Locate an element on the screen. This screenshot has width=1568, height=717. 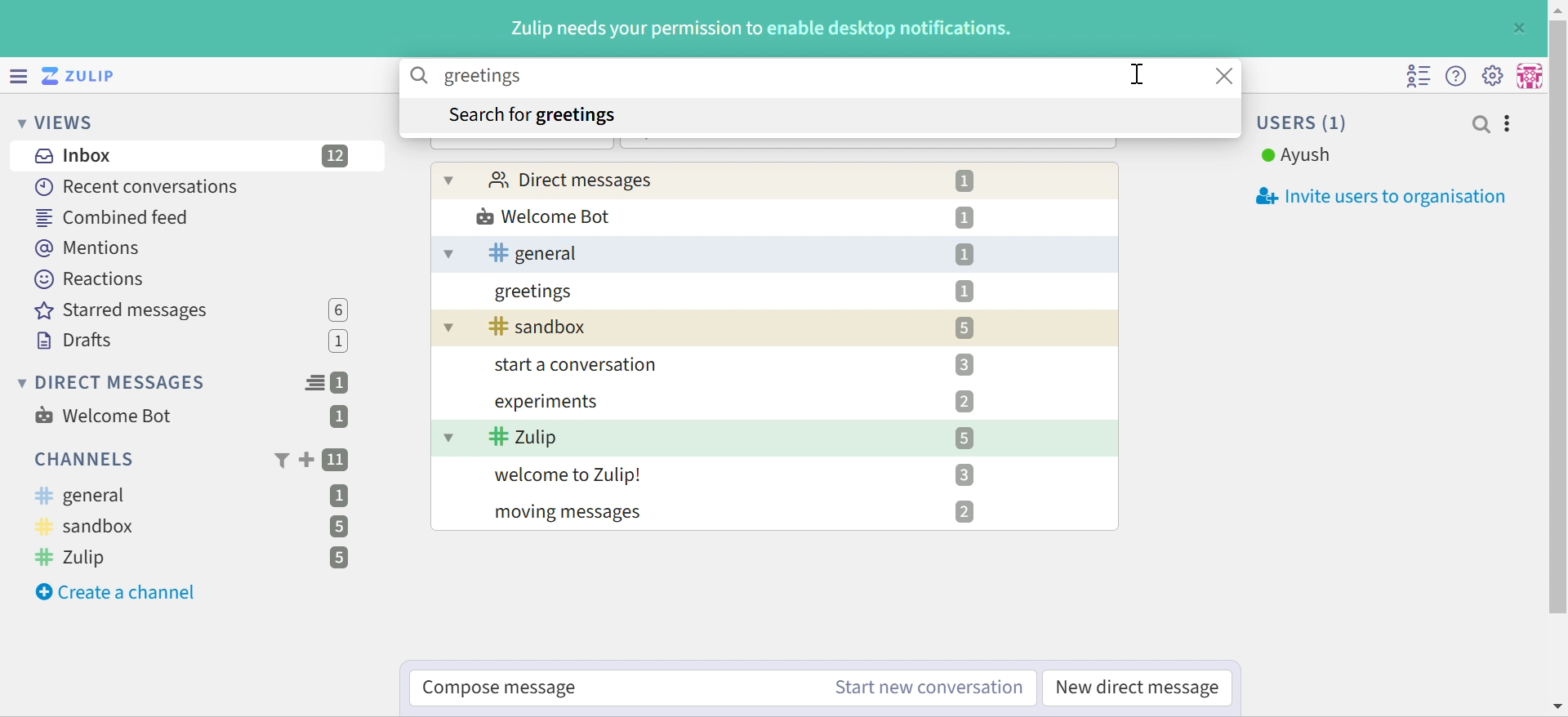
Create a channel is located at coordinates (118, 593).